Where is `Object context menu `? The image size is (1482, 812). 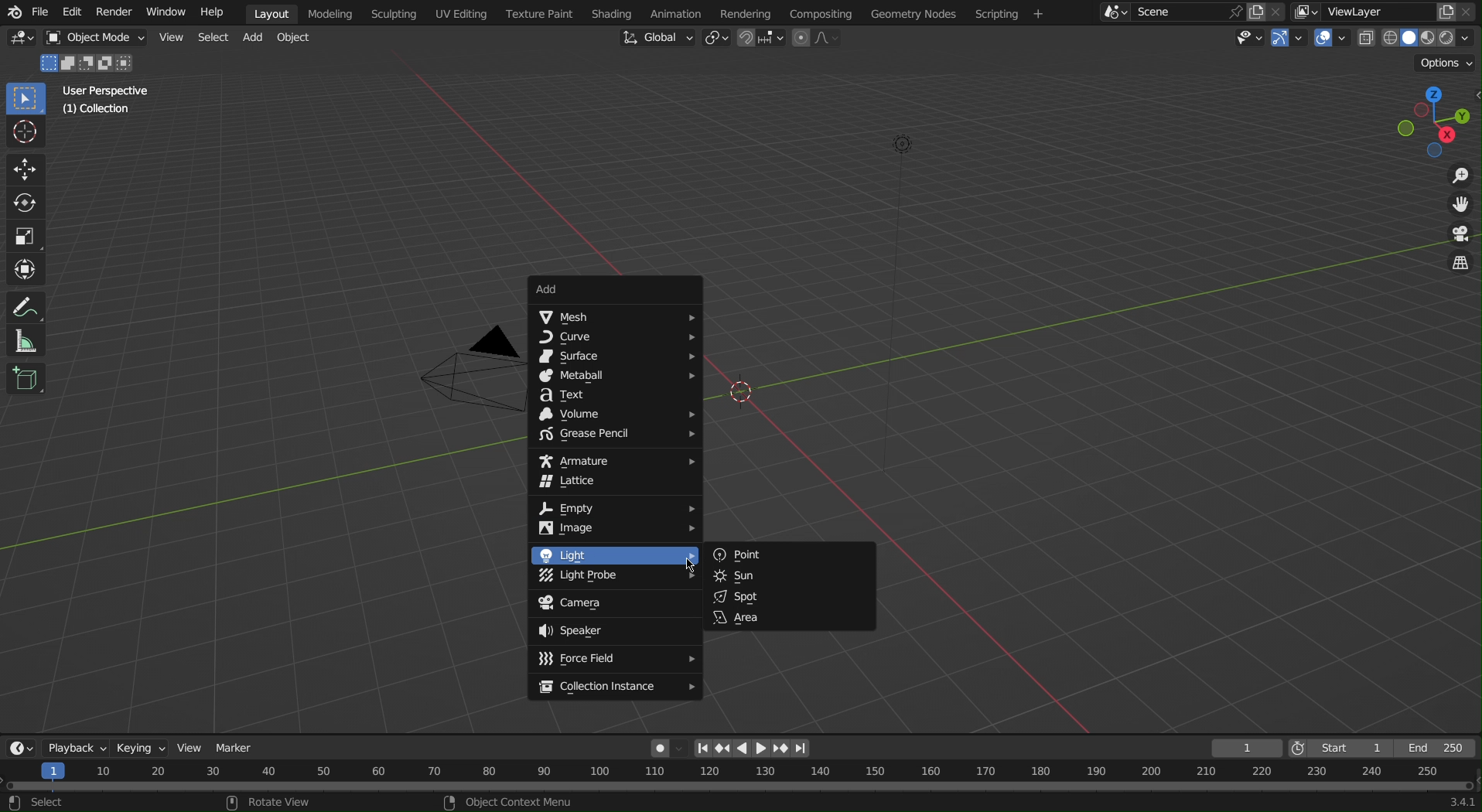
Object context menu  is located at coordinates (511, 801).